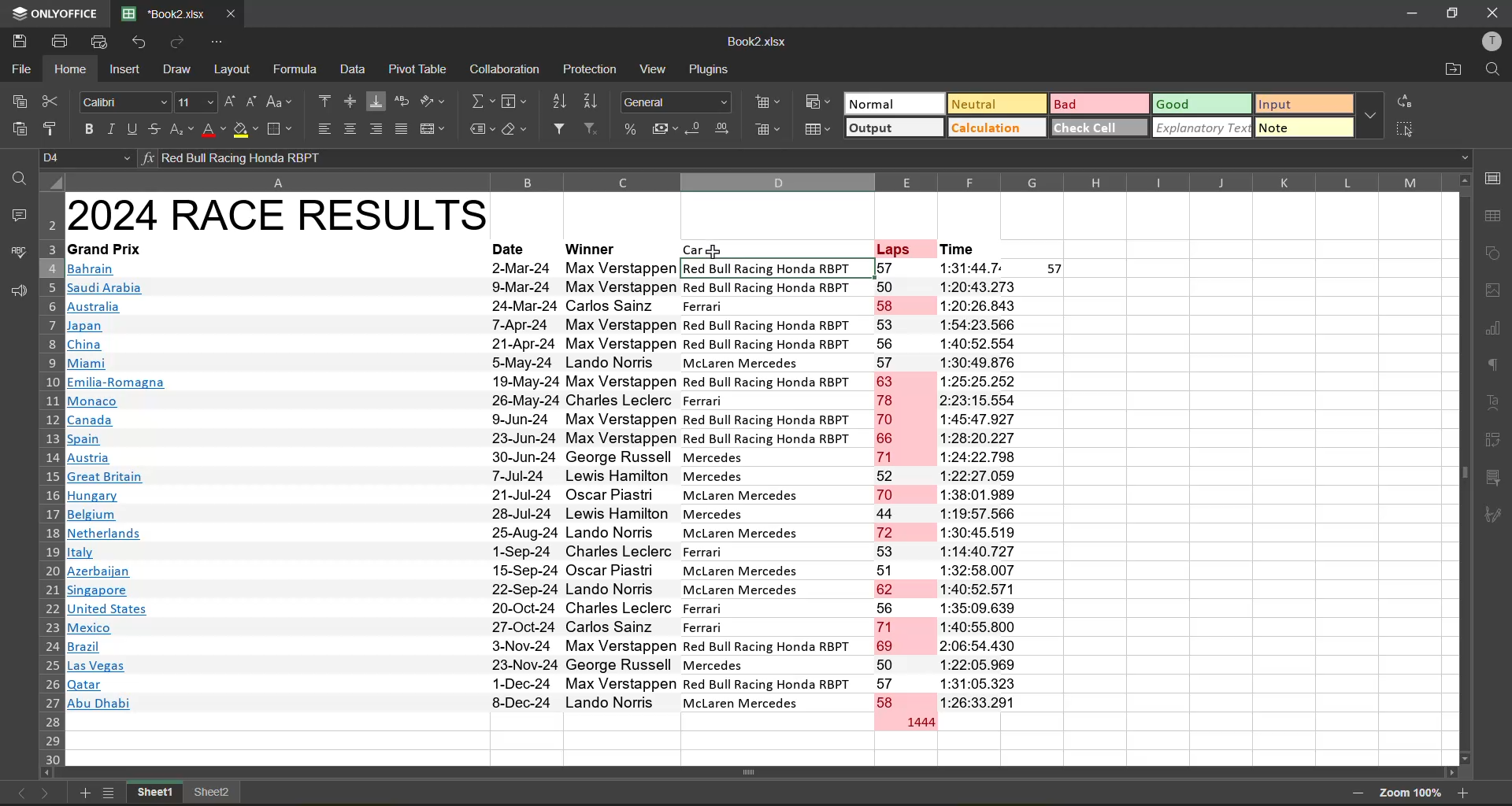 This screenshot has height=806, width=1512. What do you see at coordinates (1372, 116) in the screenshot?
I see `more options` at bounding box center [1372, 116].